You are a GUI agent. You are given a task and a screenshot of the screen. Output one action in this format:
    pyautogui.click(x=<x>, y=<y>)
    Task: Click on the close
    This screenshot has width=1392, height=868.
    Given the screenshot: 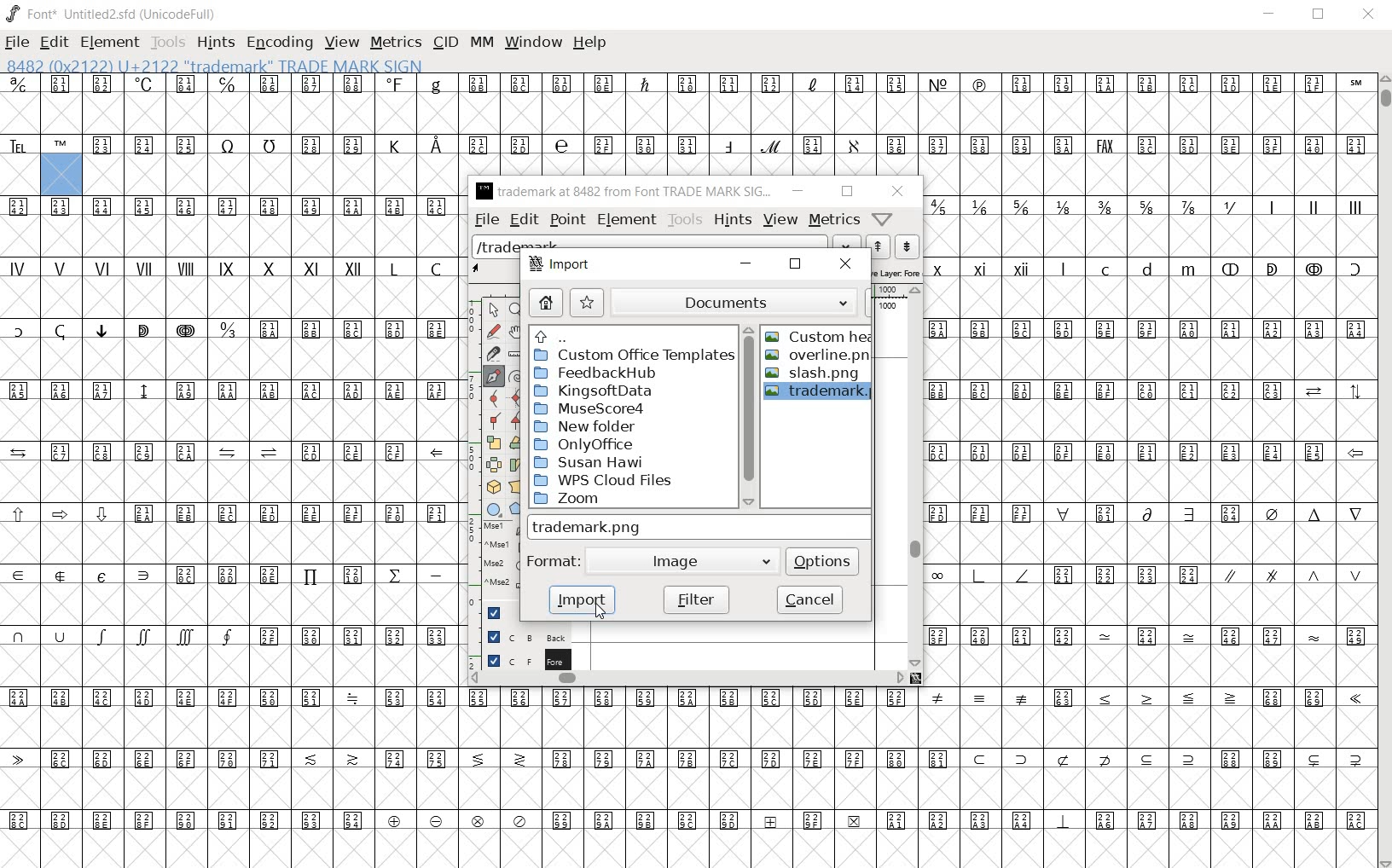 What is the action you would take?
    pyautogui.click(x=896, y=190)
    